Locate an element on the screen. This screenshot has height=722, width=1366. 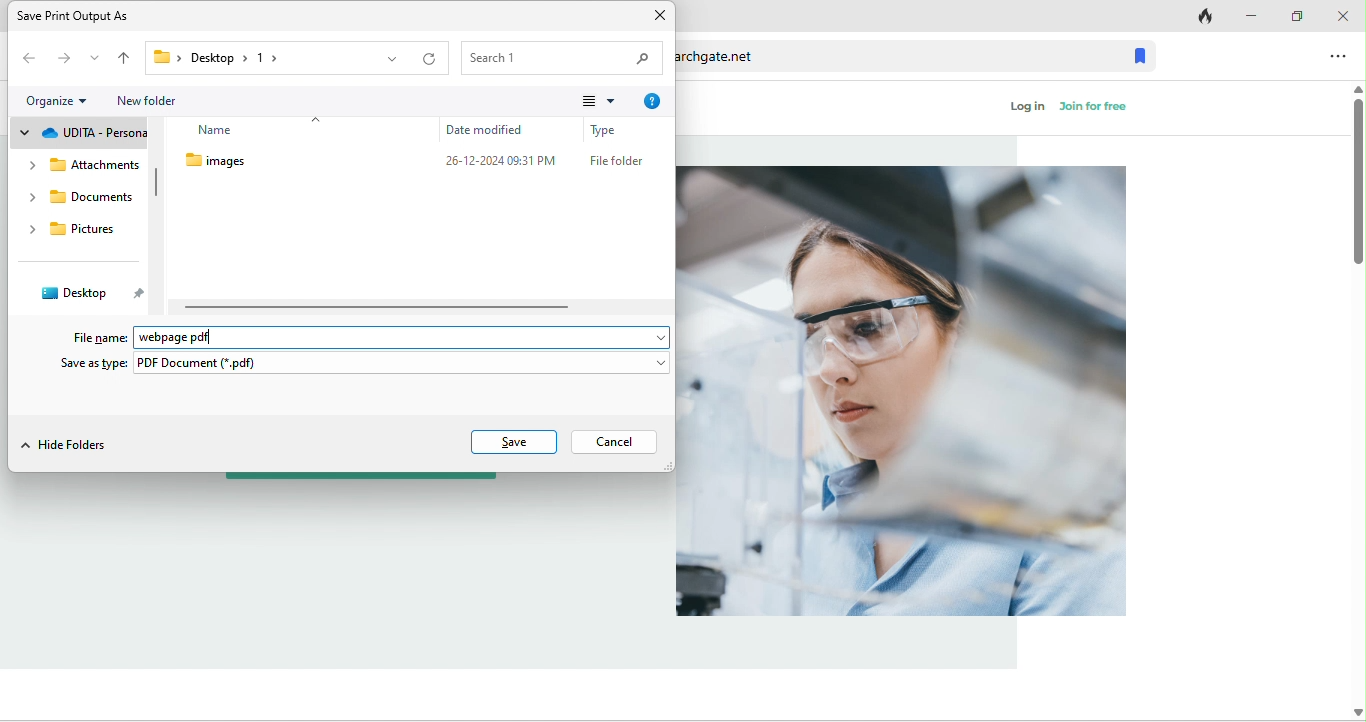
login is located at coordinates (1029, 114).